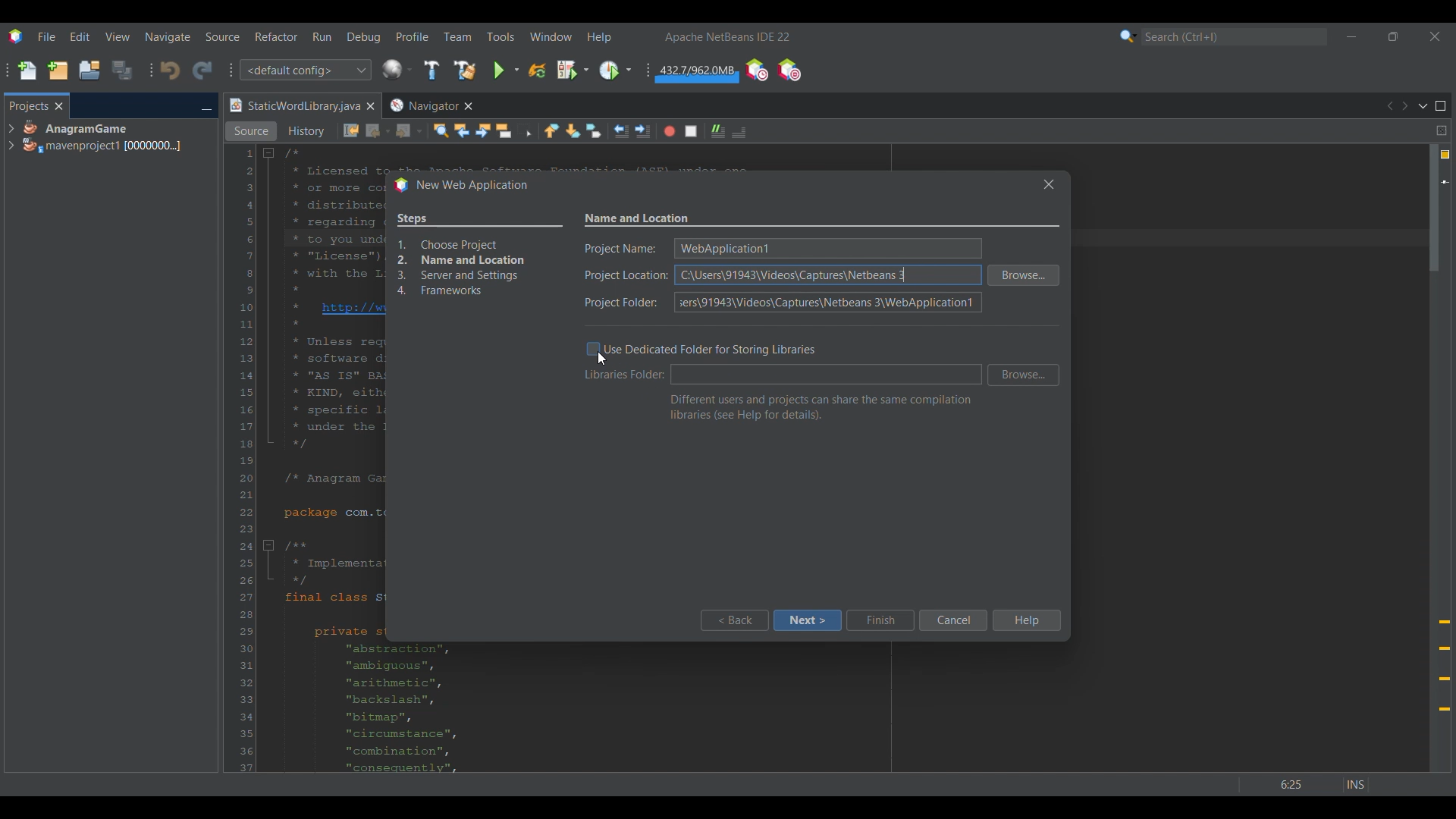 The width and height of the screenshot is (1456, 819). I want to click on Stop macro recording, so click(691, 131).